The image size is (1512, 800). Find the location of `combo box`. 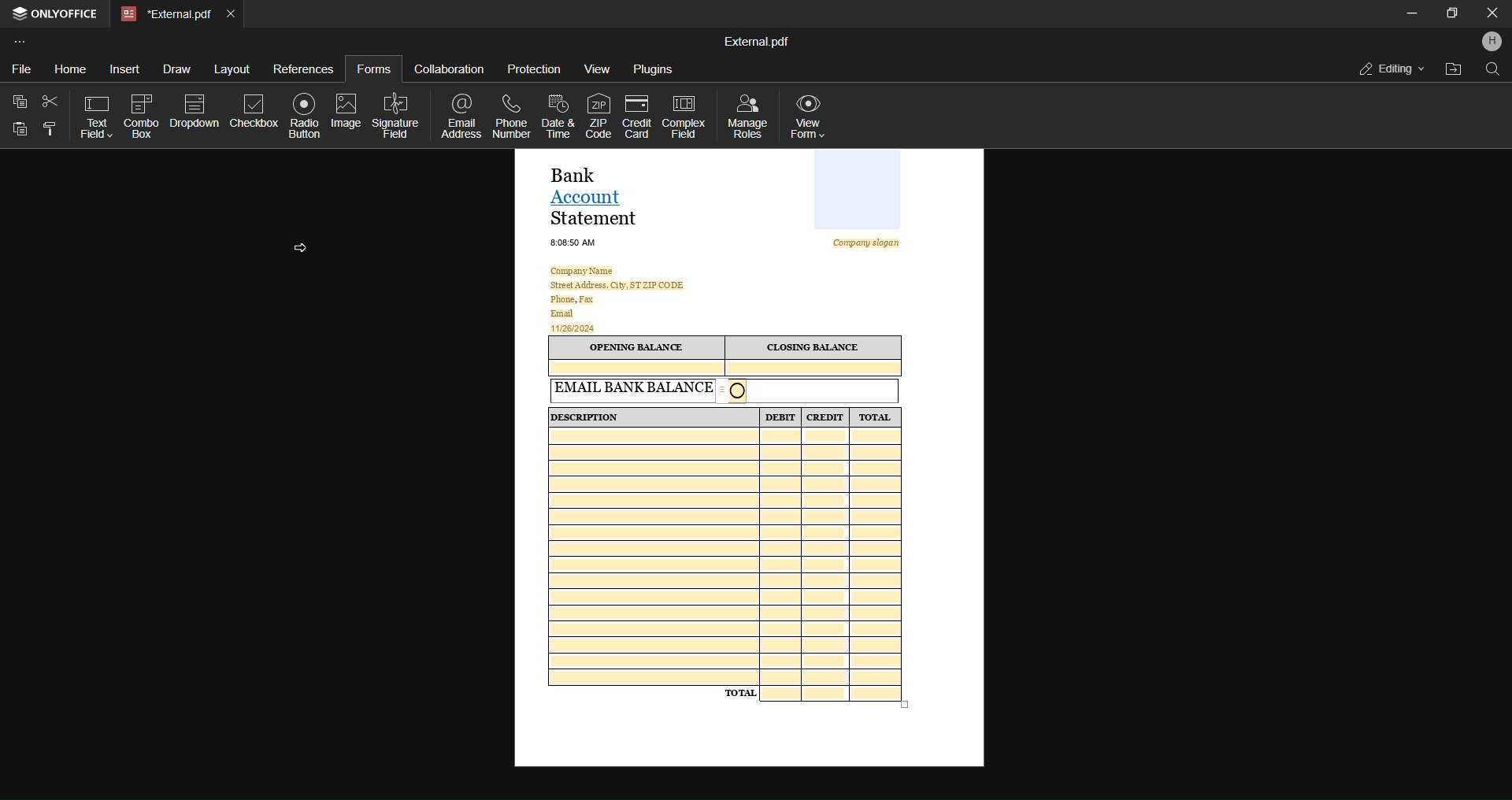

combo box is located at coordinates (141, 118).